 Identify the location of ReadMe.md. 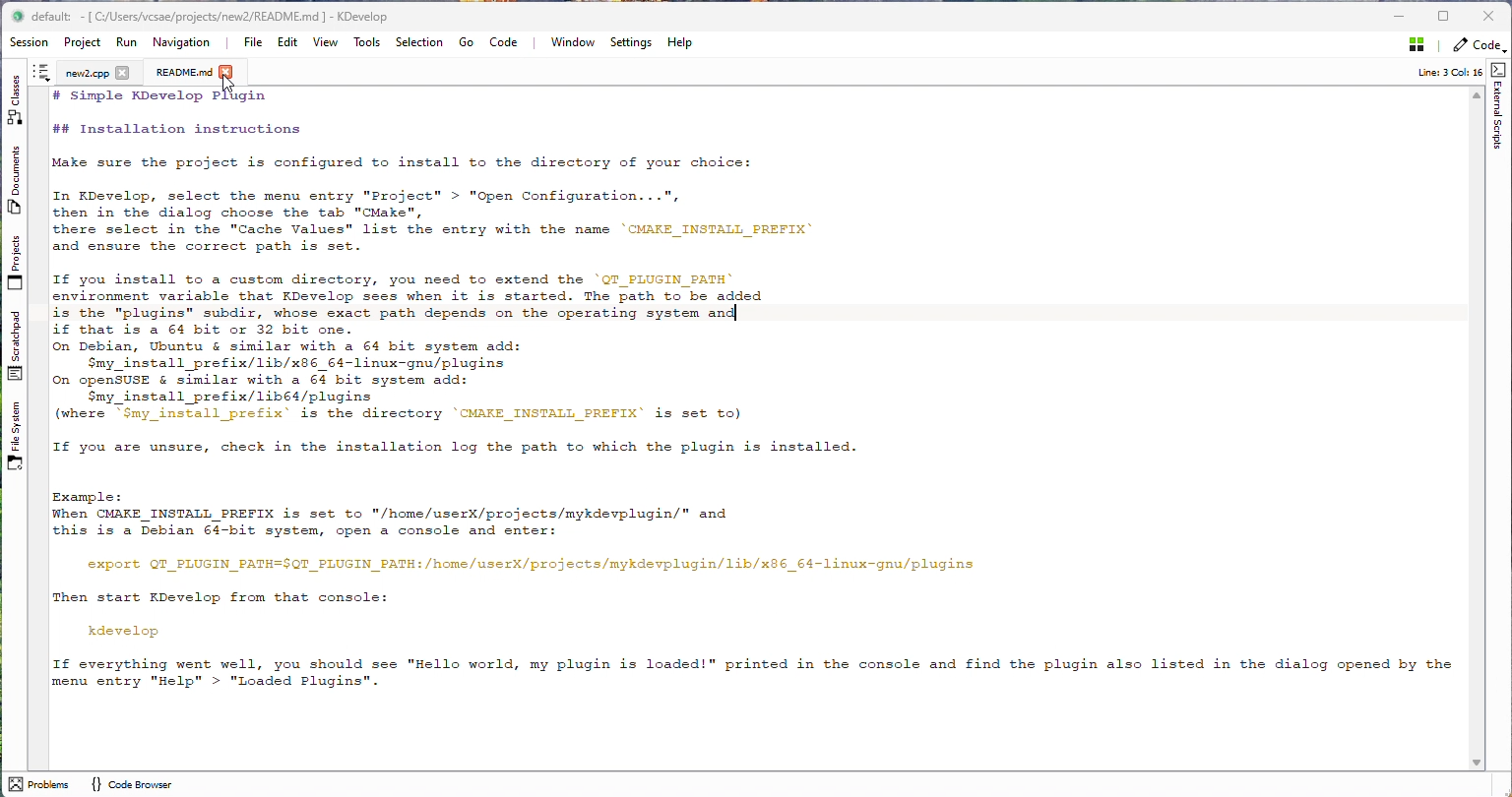
(186, 74).